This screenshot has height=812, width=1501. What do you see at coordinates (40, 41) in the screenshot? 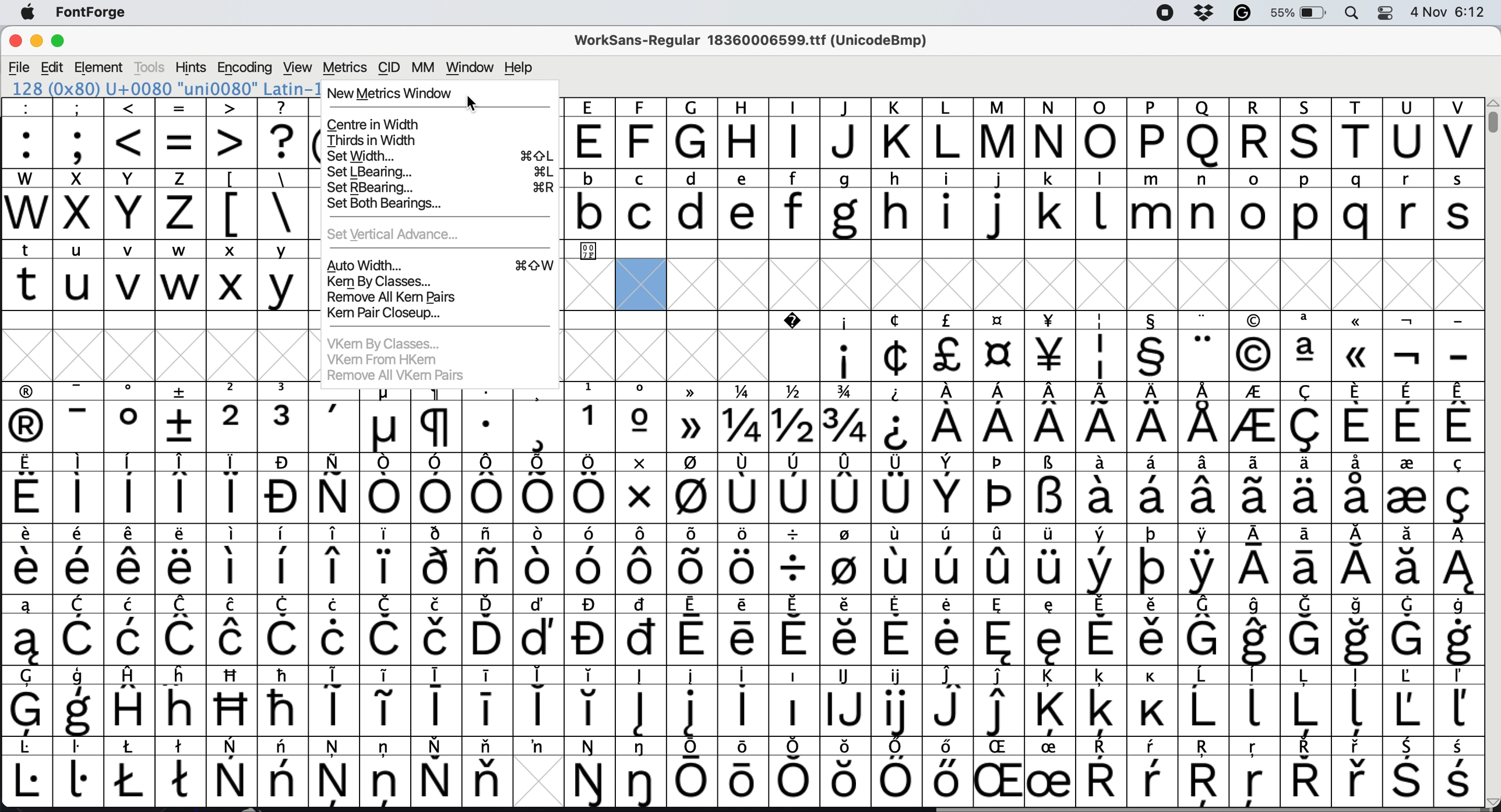
I see `Minimize` at bounding box center [40, 41].